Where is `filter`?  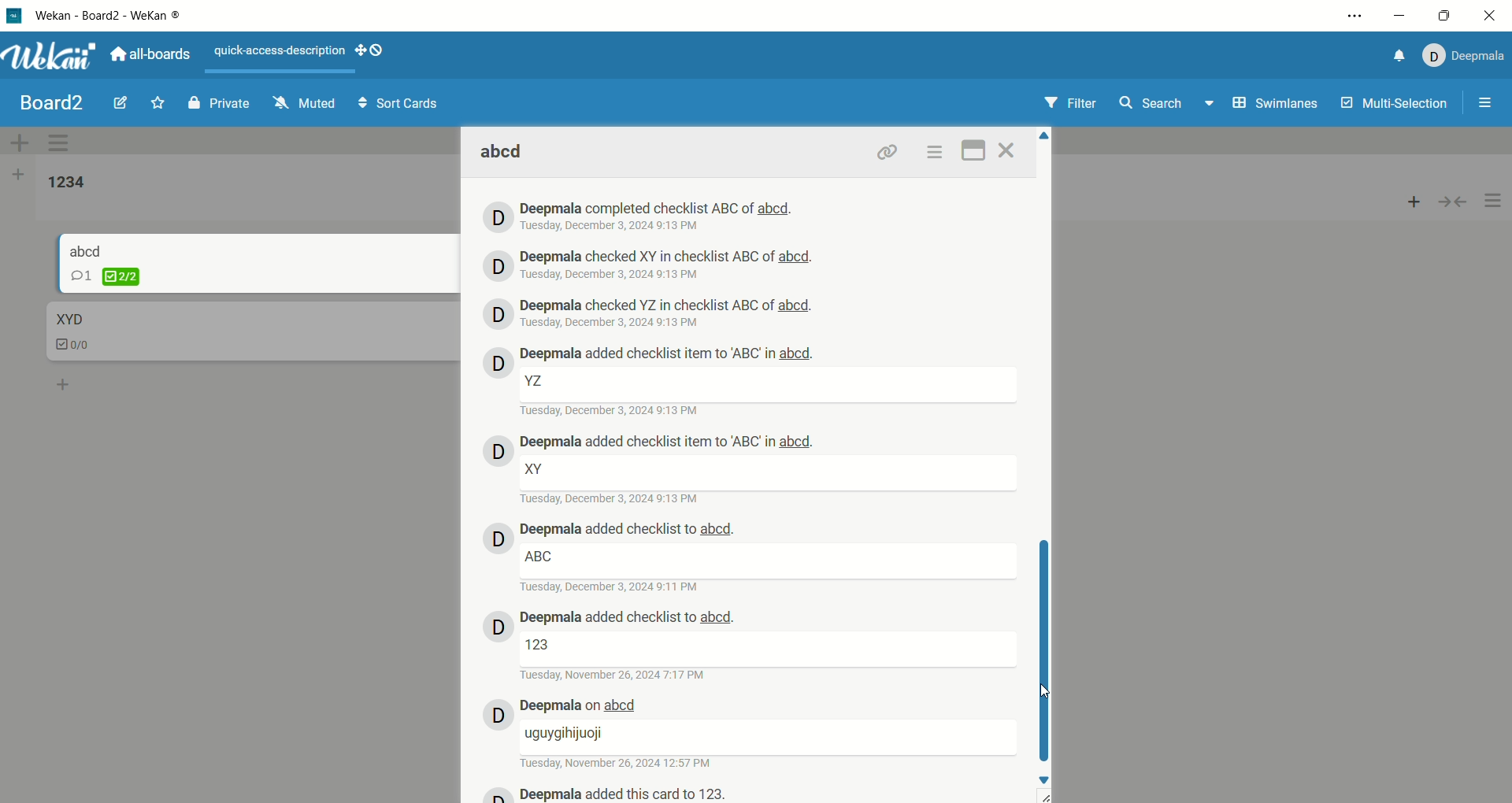
filter is located at coordinates (1075, 100).